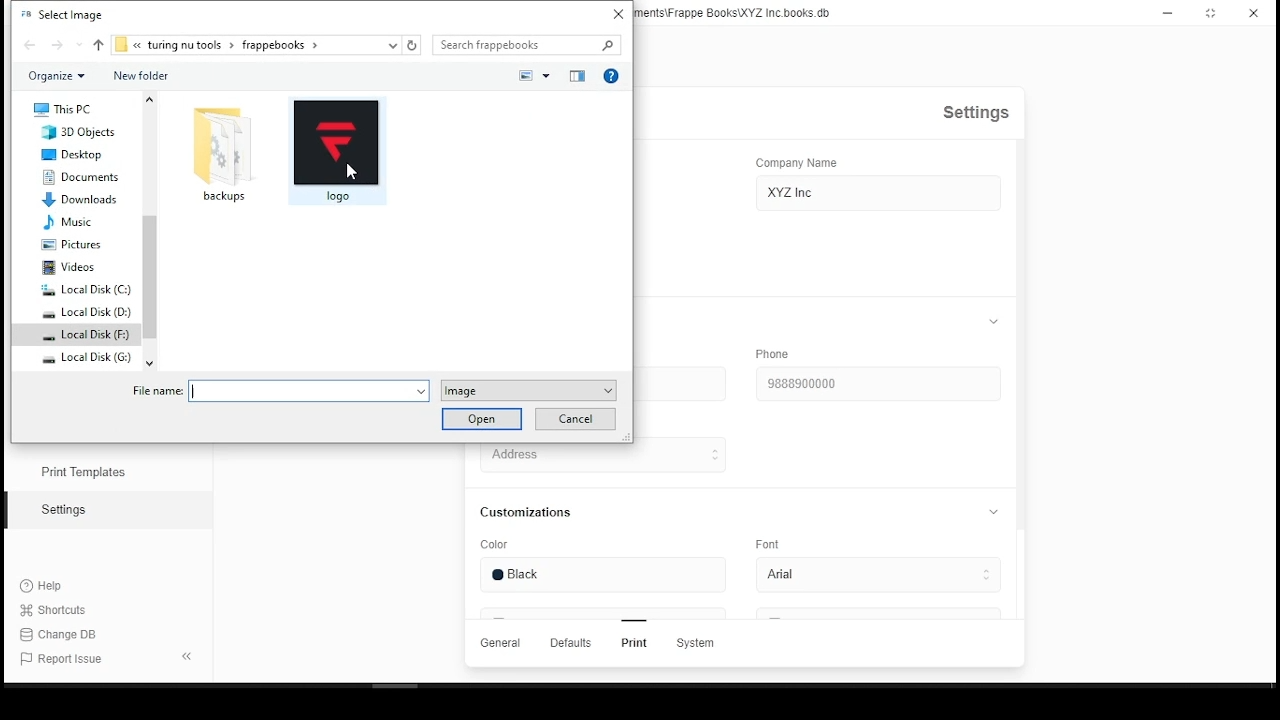  What do you see at coordinates (44, 587) in the screenshot?
I see `Help` at bounding box center [44, 587].